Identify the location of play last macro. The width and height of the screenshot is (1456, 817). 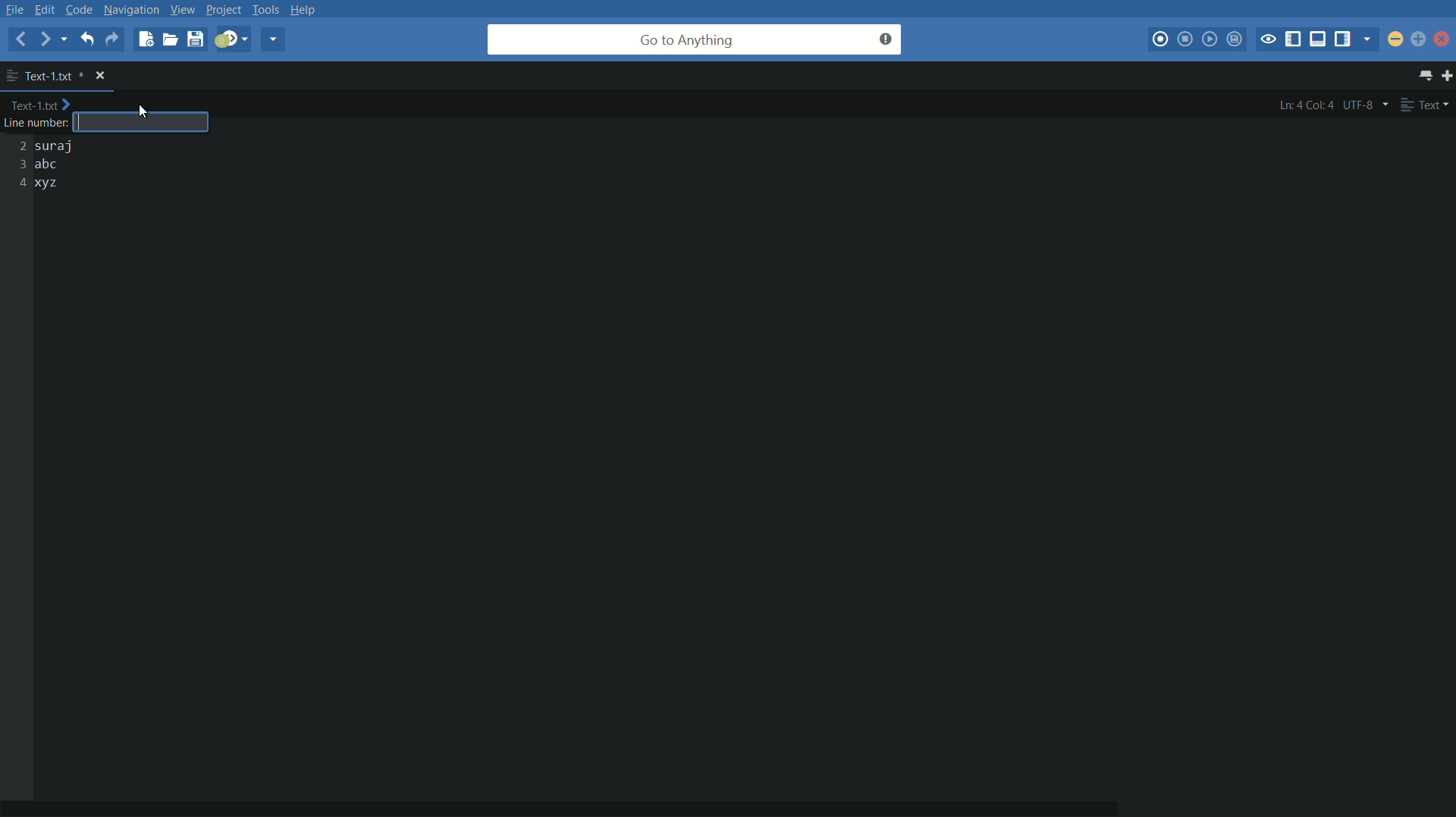
(1210, 39).